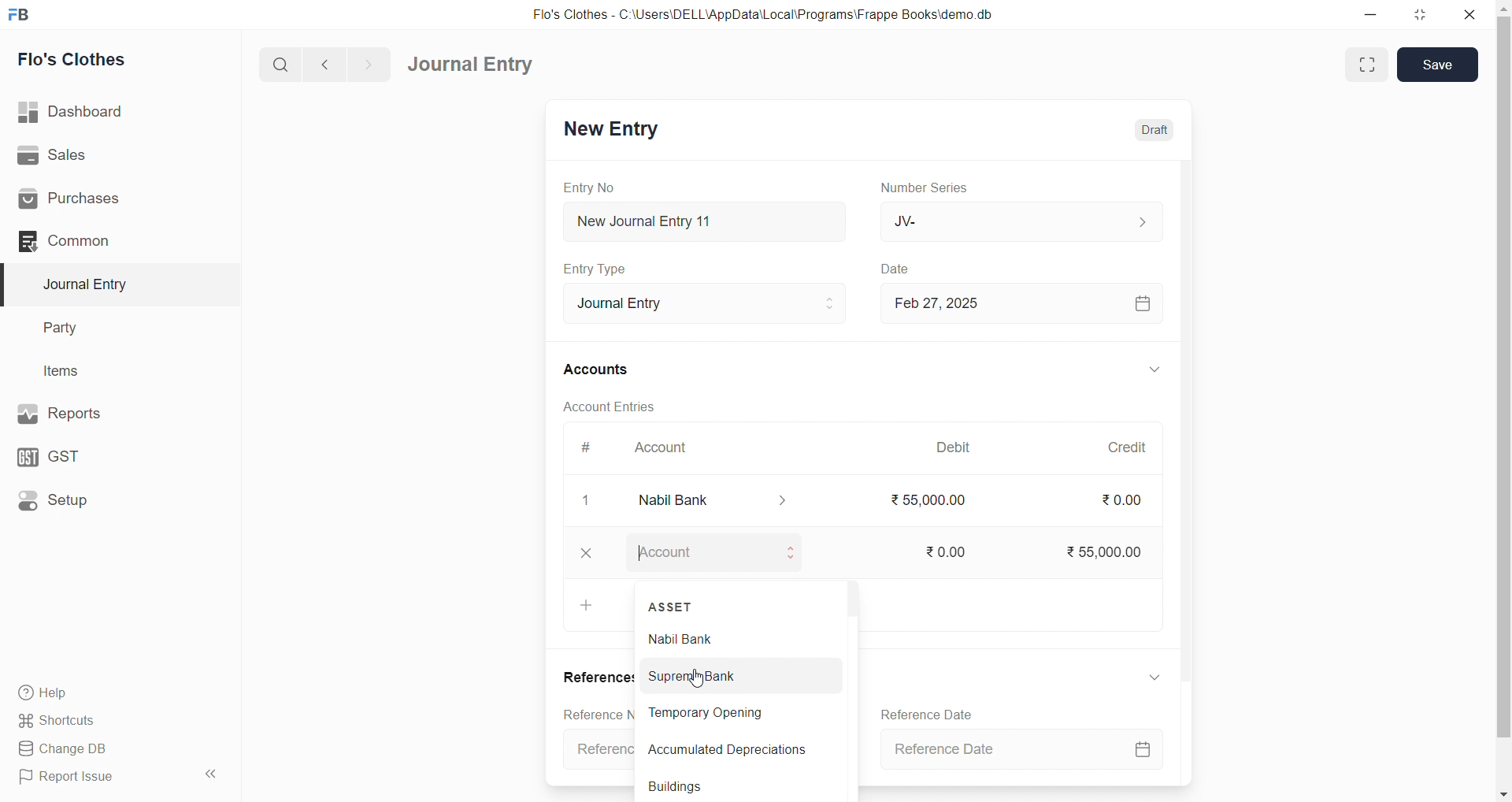 The height and width of the screenshot is (802, 1512). Describe the element at coordinates (940, 503) in the screenshot. I see `₹55000.00` at that location.